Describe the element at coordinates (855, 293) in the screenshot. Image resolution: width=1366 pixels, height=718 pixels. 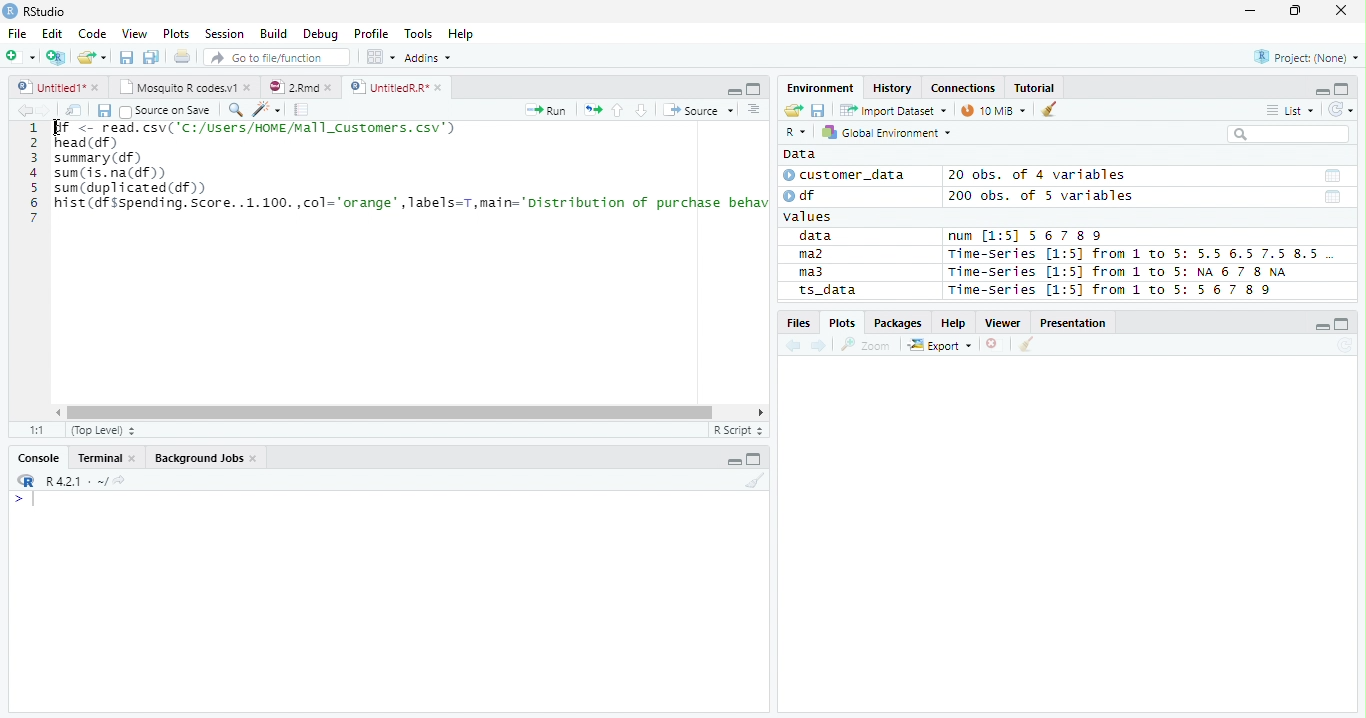
I see `ts_data` at that location.